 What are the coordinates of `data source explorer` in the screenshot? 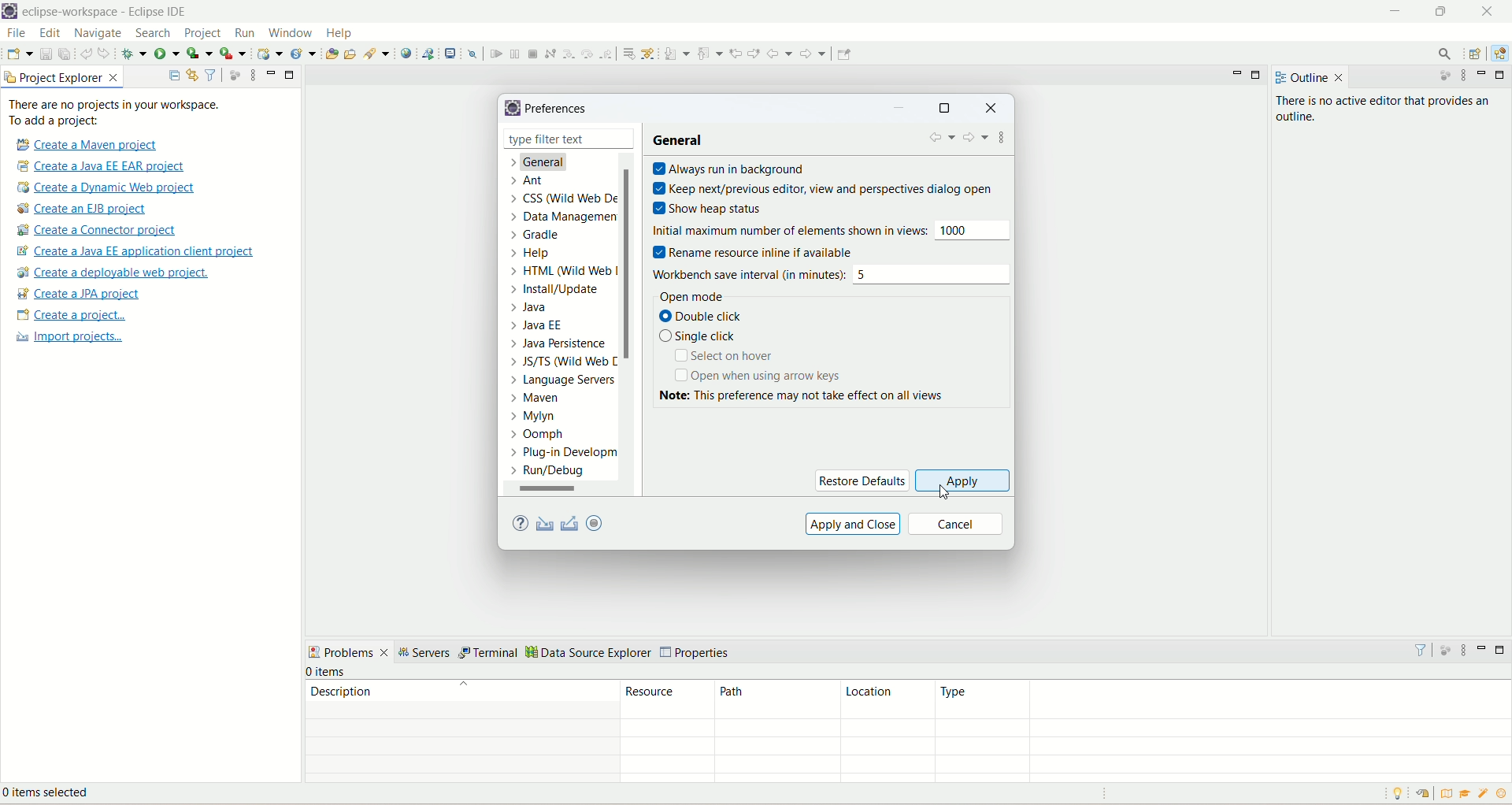 It's located at (589, 654).